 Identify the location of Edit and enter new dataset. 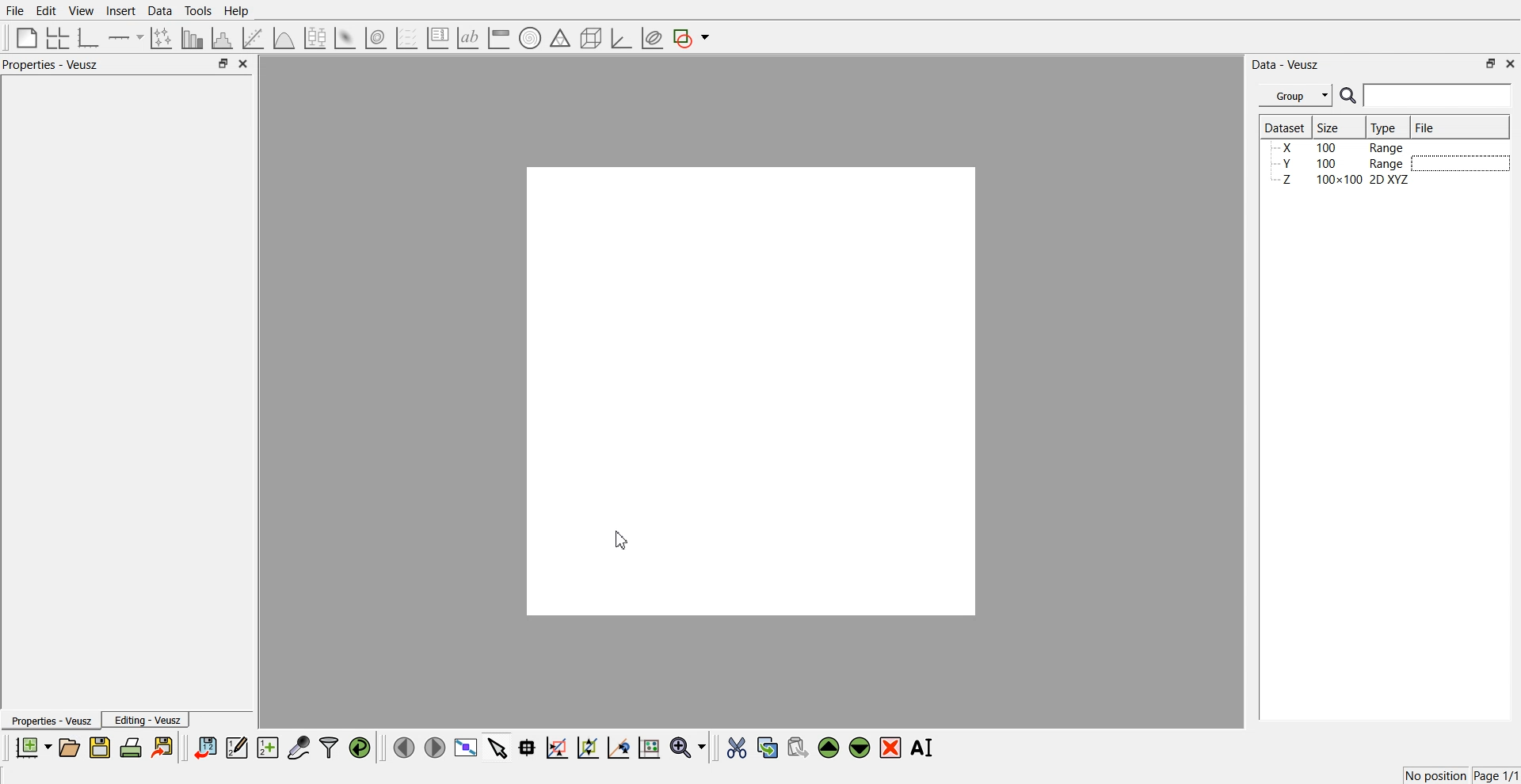
(236, 747).